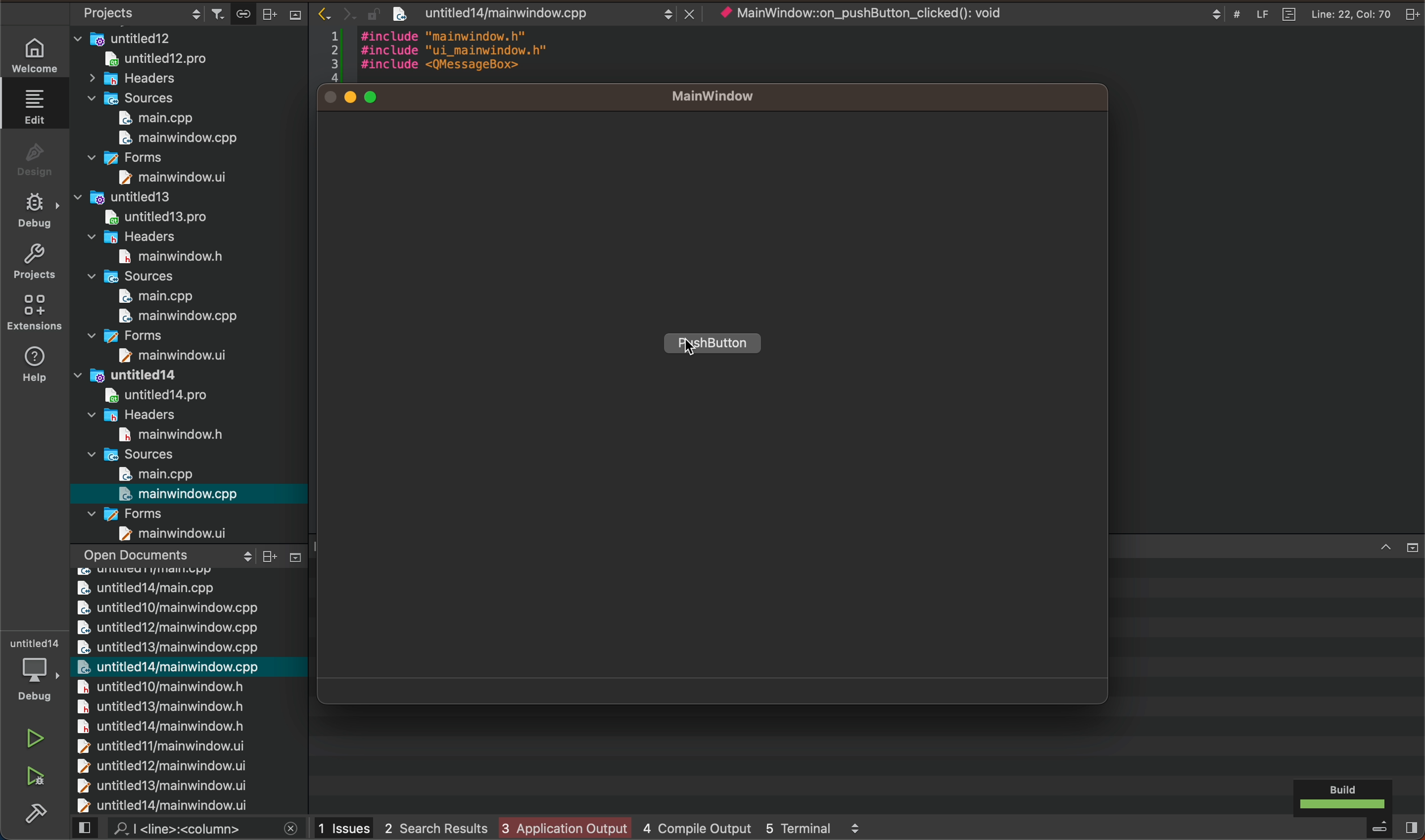 This screenshot has height=840, width=1425. What do you see at coordinates (36, 777) in the screenshot?
I see `run and debug` at bounding box center [36, 777].